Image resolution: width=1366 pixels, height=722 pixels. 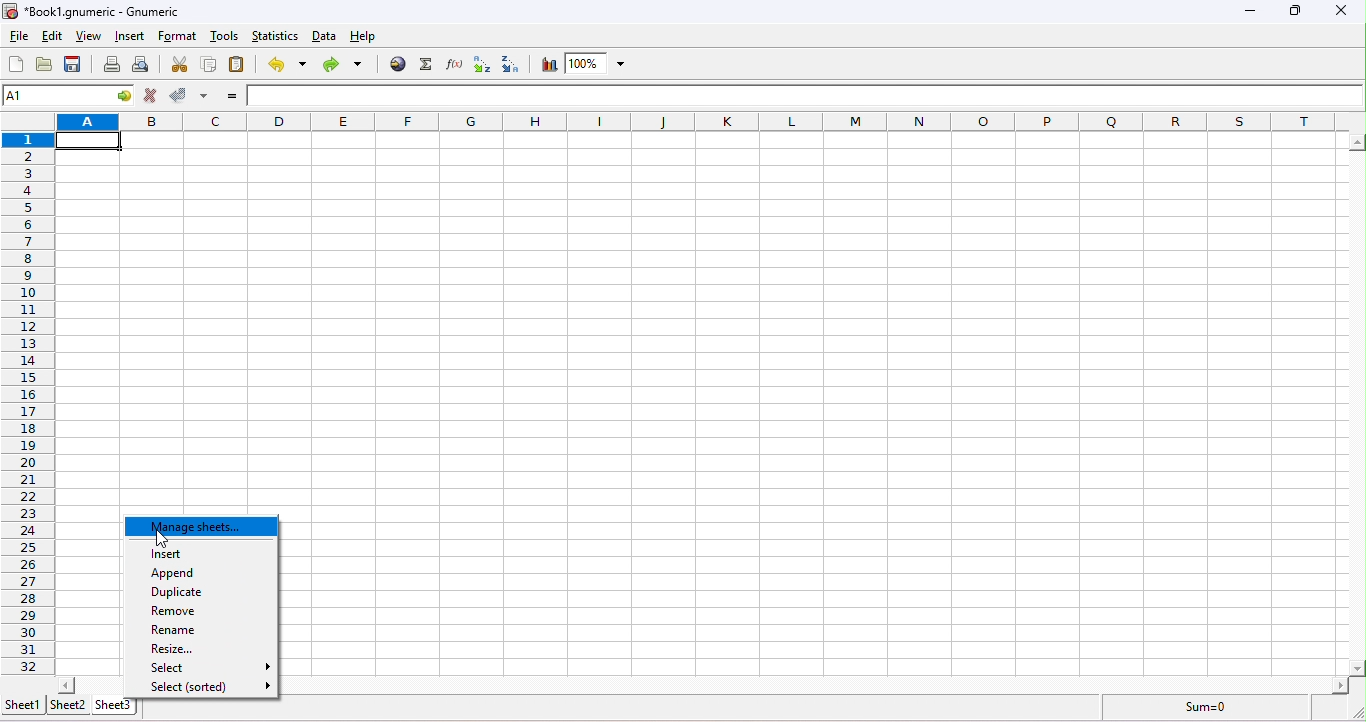 What do you see at coordinates (547, 63) in the screenshot?
I see `chart` at bounding box center [547, 63].